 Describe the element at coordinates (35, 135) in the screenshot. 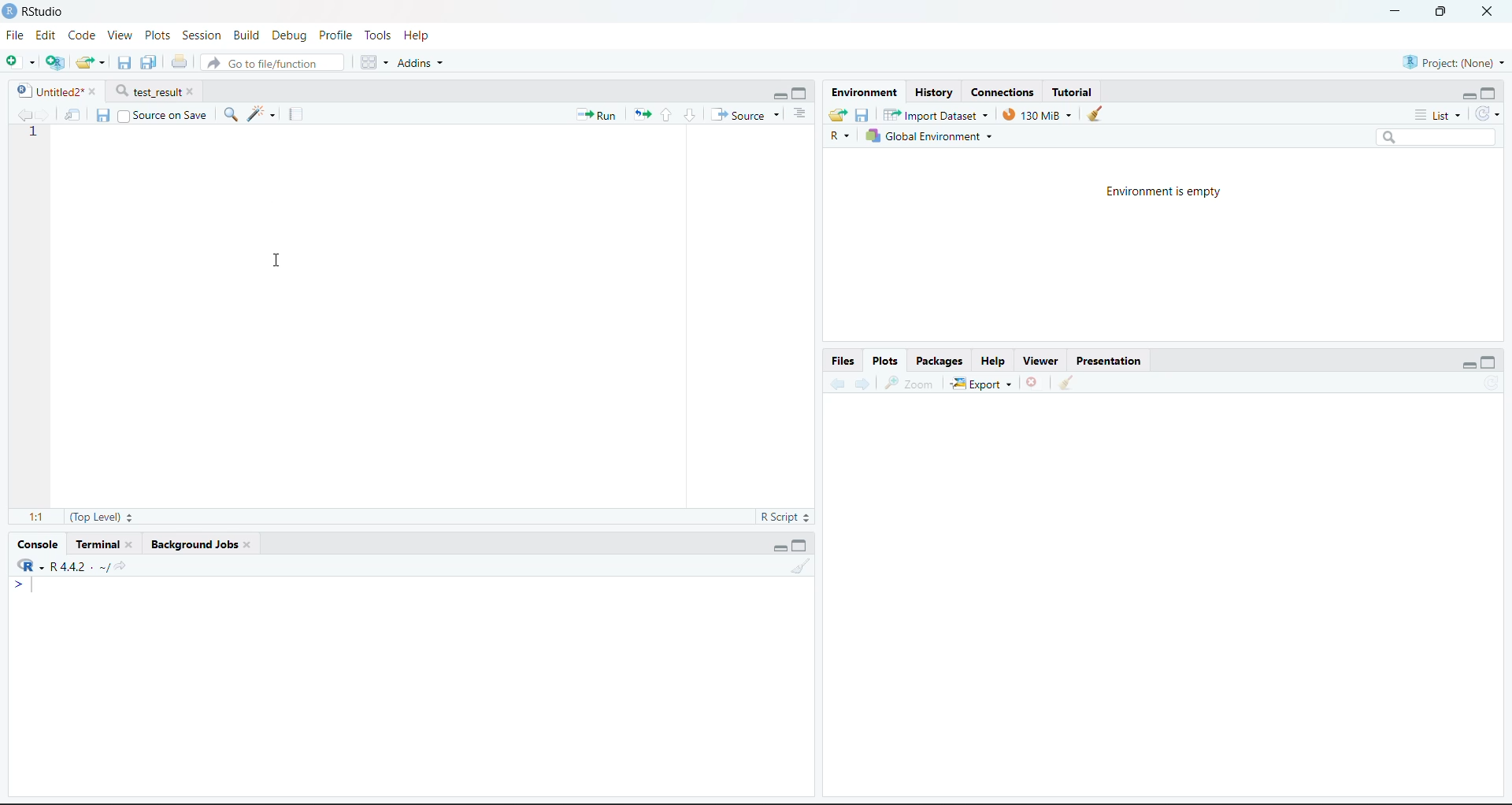

I see `1` at that location.